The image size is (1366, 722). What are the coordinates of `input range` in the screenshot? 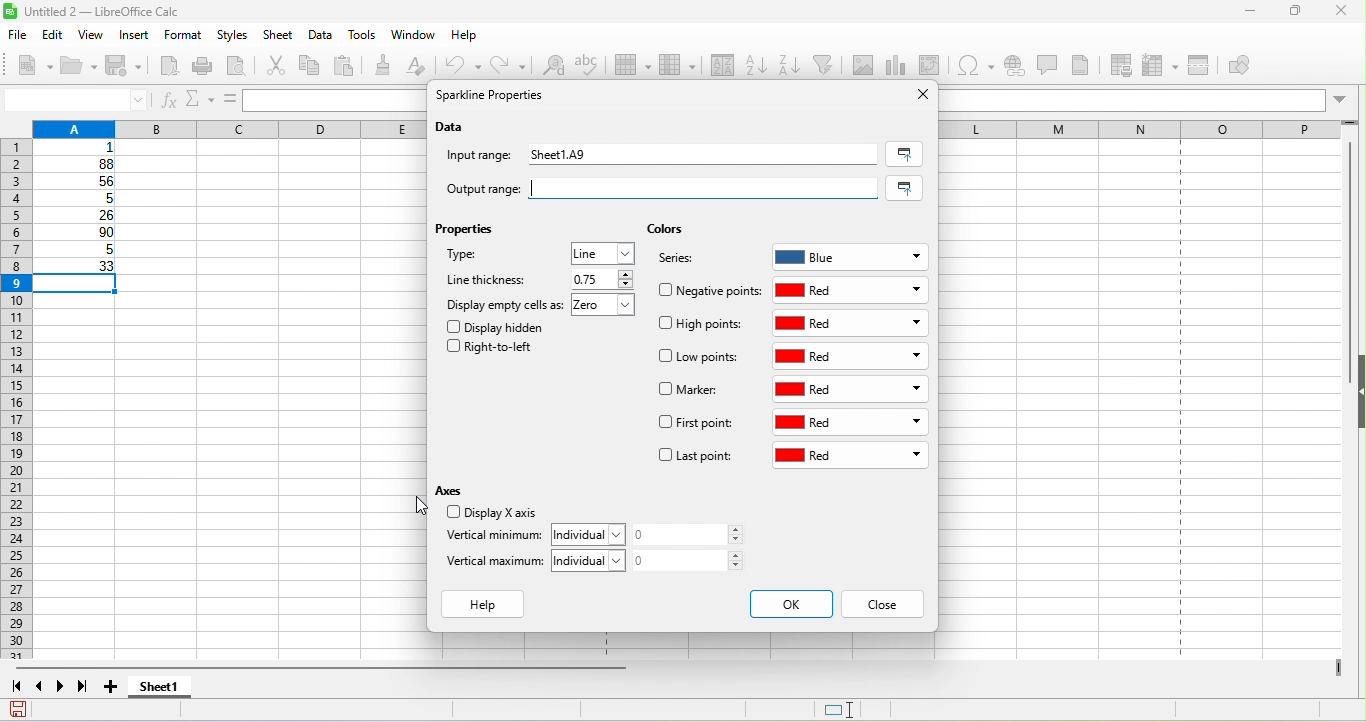 It's located at (482, 157).